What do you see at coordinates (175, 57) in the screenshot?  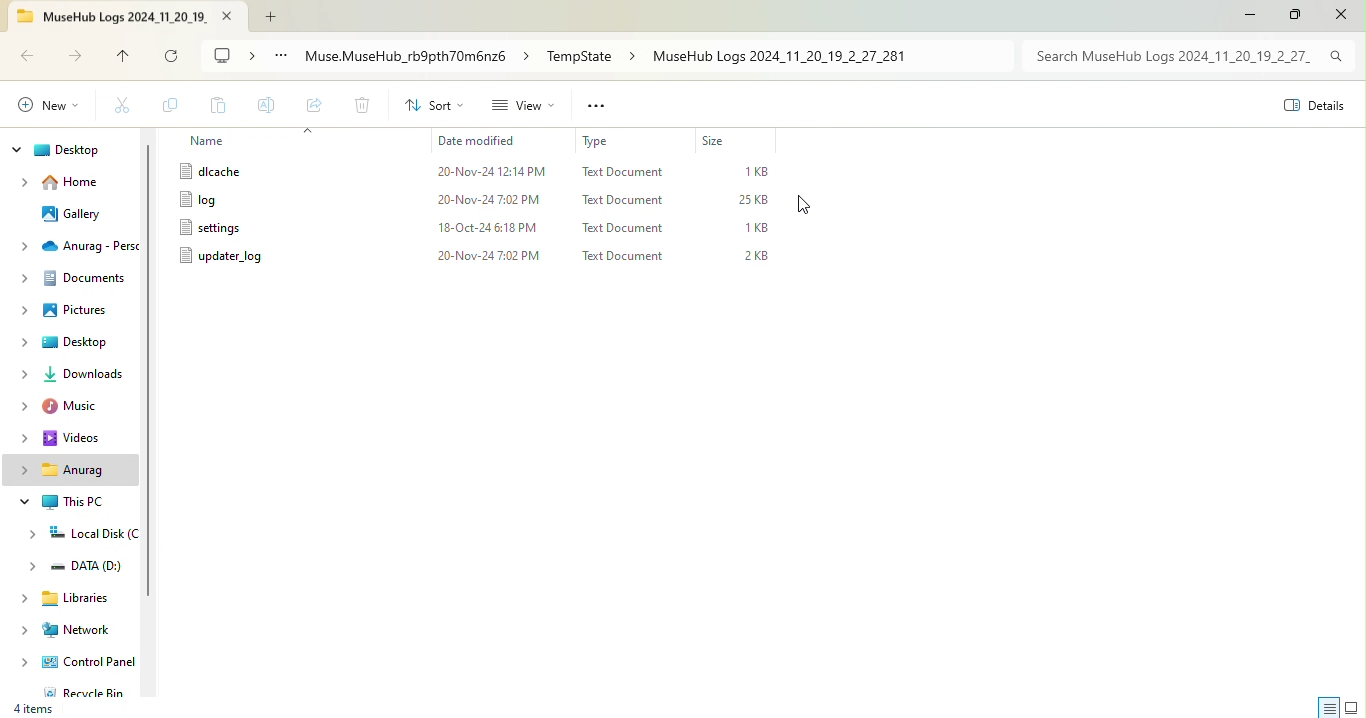 I see `refresh` at bounding box center [175, 57].